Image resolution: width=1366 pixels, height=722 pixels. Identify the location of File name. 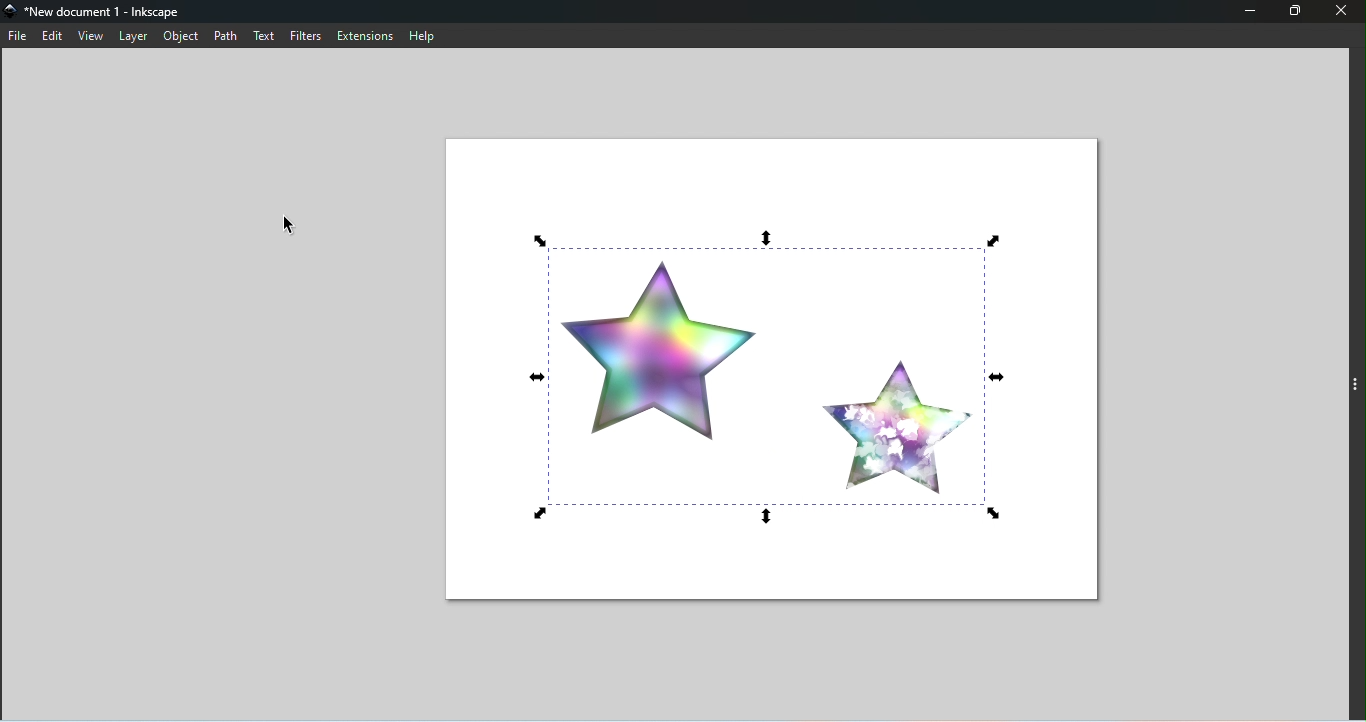
(103, 12).